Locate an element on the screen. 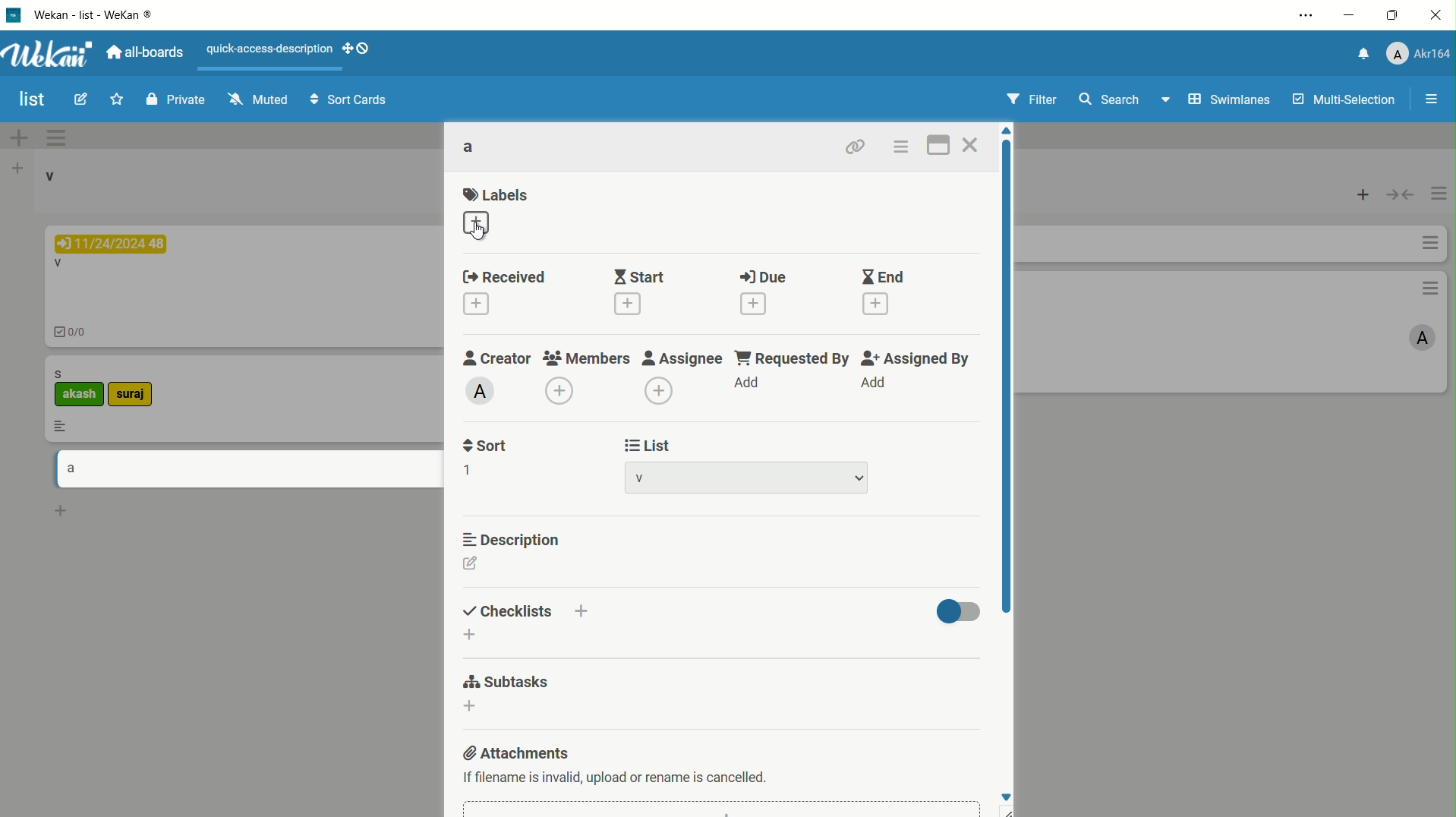 The image size is (1456, 817). board name is located at coordinates (30, 99).